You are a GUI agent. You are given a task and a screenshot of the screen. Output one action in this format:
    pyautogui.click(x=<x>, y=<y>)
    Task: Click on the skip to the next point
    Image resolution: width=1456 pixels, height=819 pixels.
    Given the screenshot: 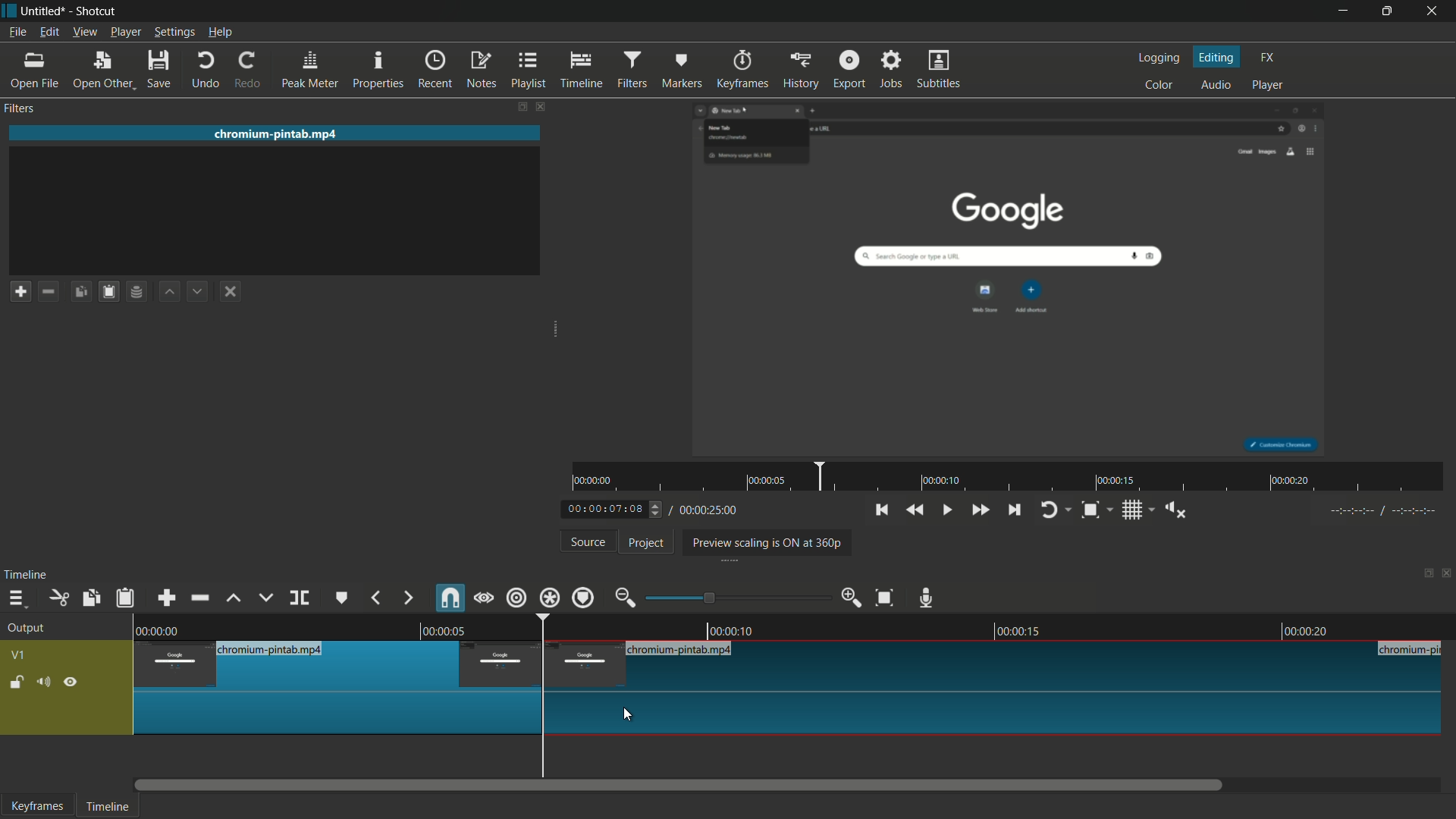 What is the action you would take?
    pyautogui.click(x=1012, y=510)
    